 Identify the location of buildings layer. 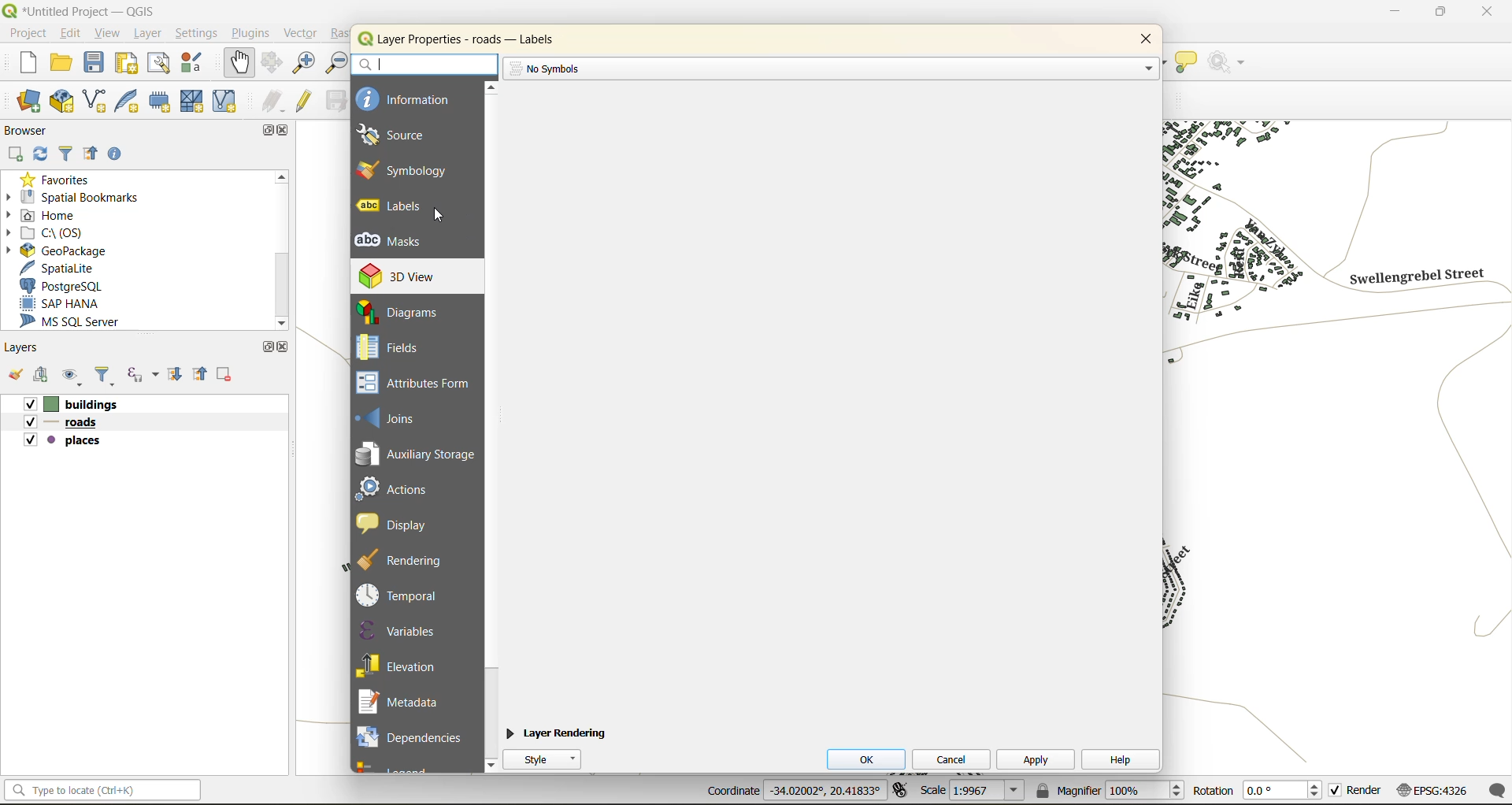
(76, 405).